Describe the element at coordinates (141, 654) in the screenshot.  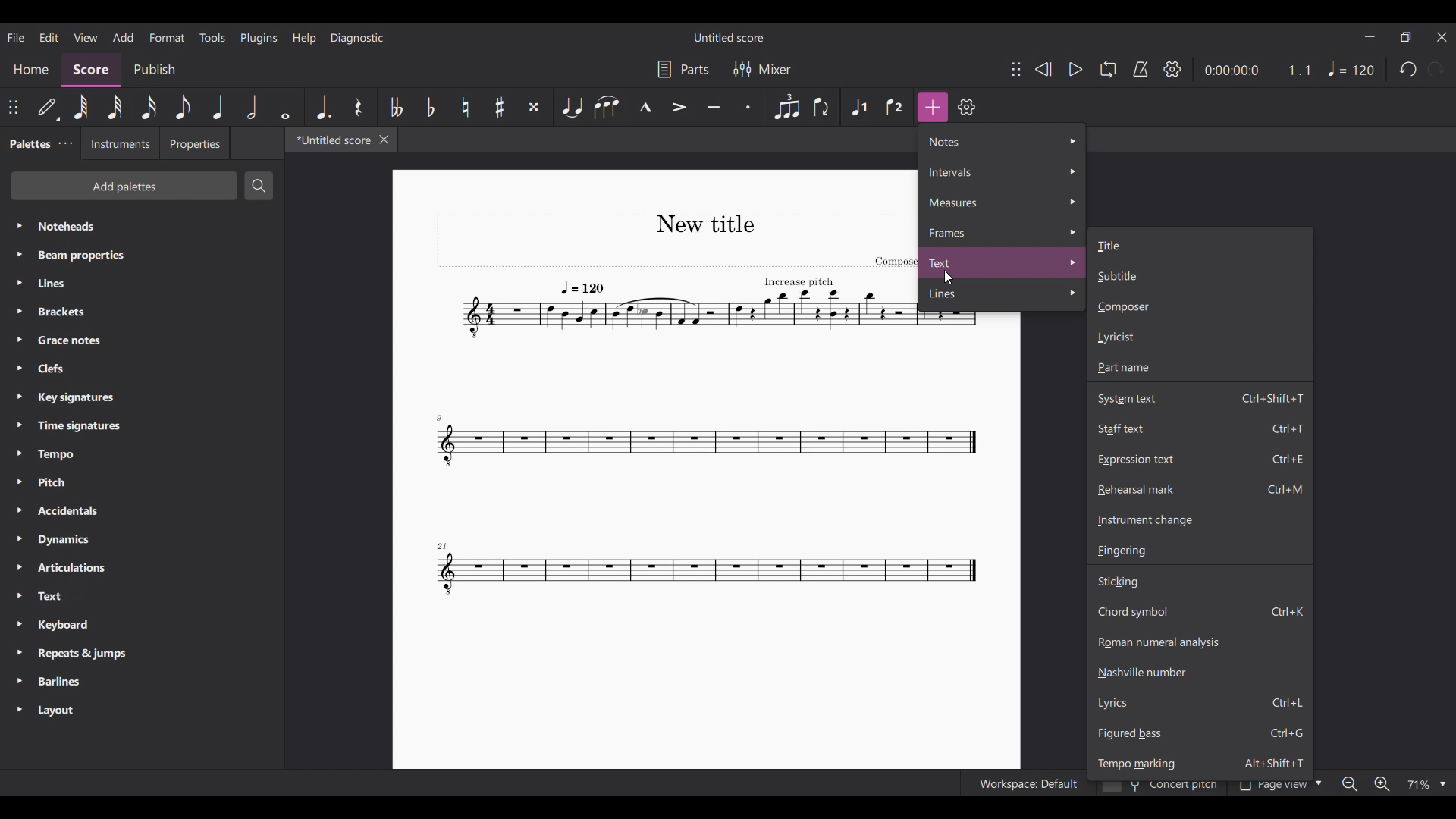
I see `Repeats & jumps` at that location.